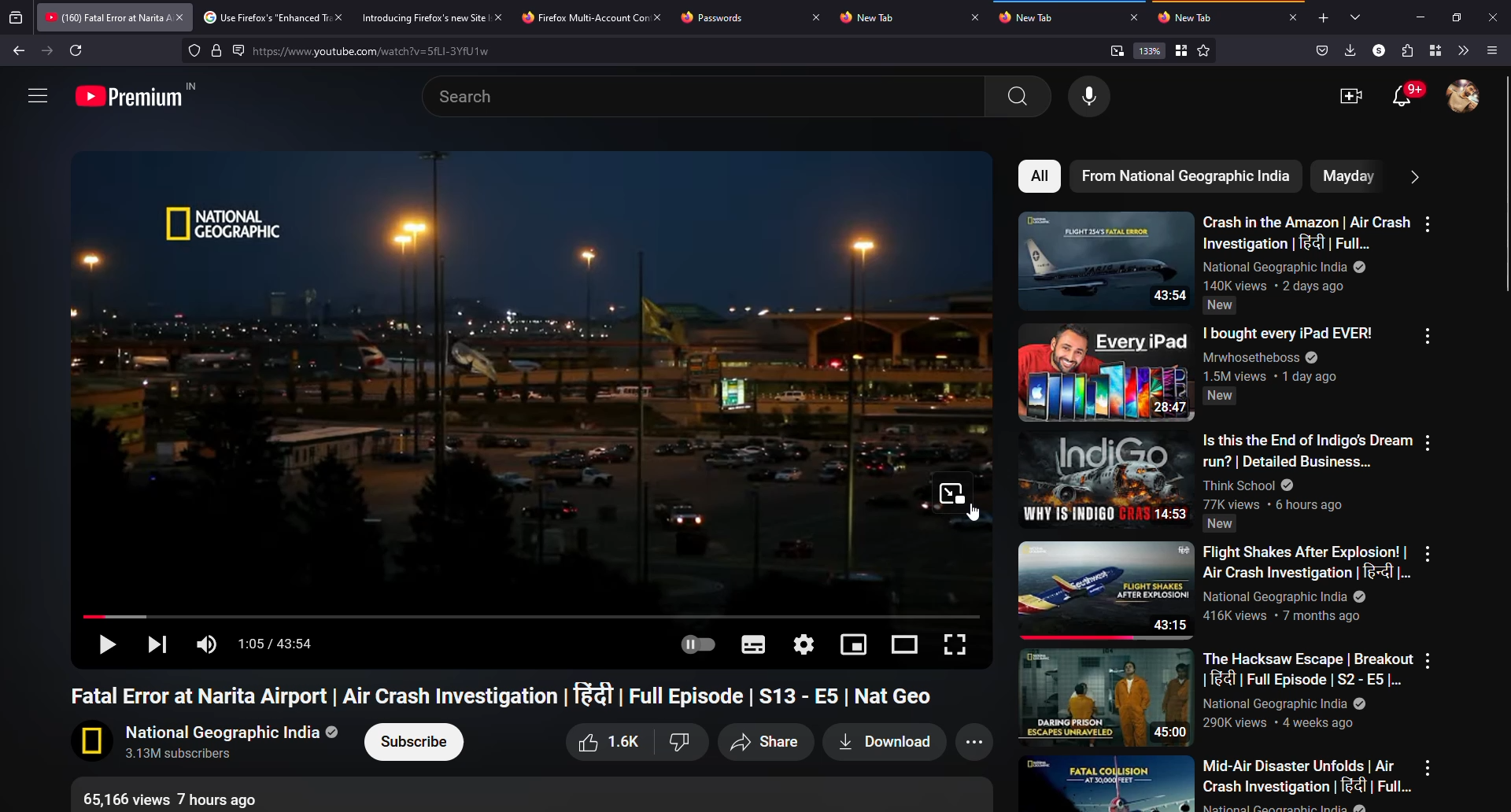  What do you see at coordinates (1219, 524) in the screenshot?
I see `Indicates video is new` at bounding box center [1219, 524].